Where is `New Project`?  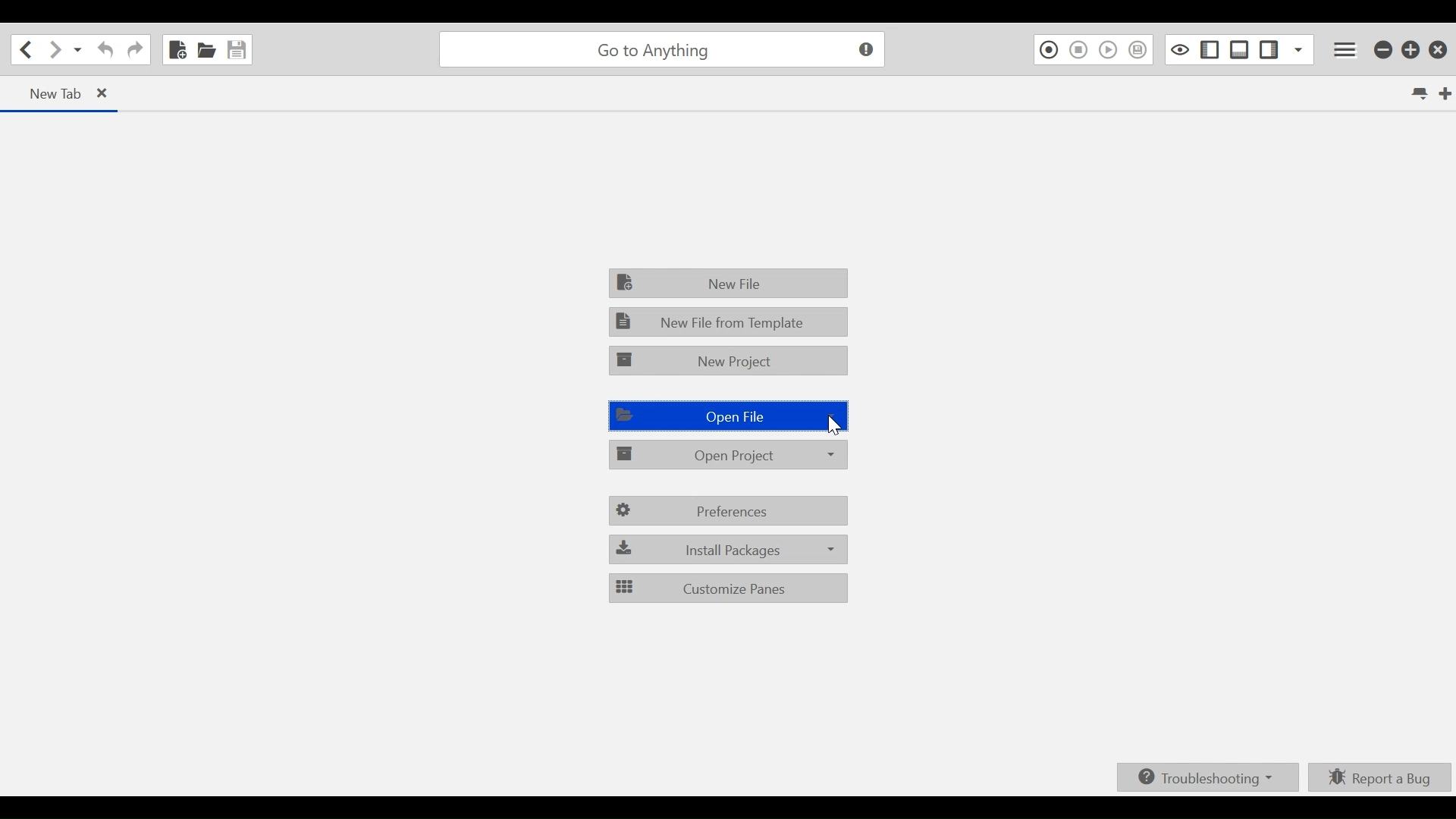 New Project is located at coordinates (727, 362).